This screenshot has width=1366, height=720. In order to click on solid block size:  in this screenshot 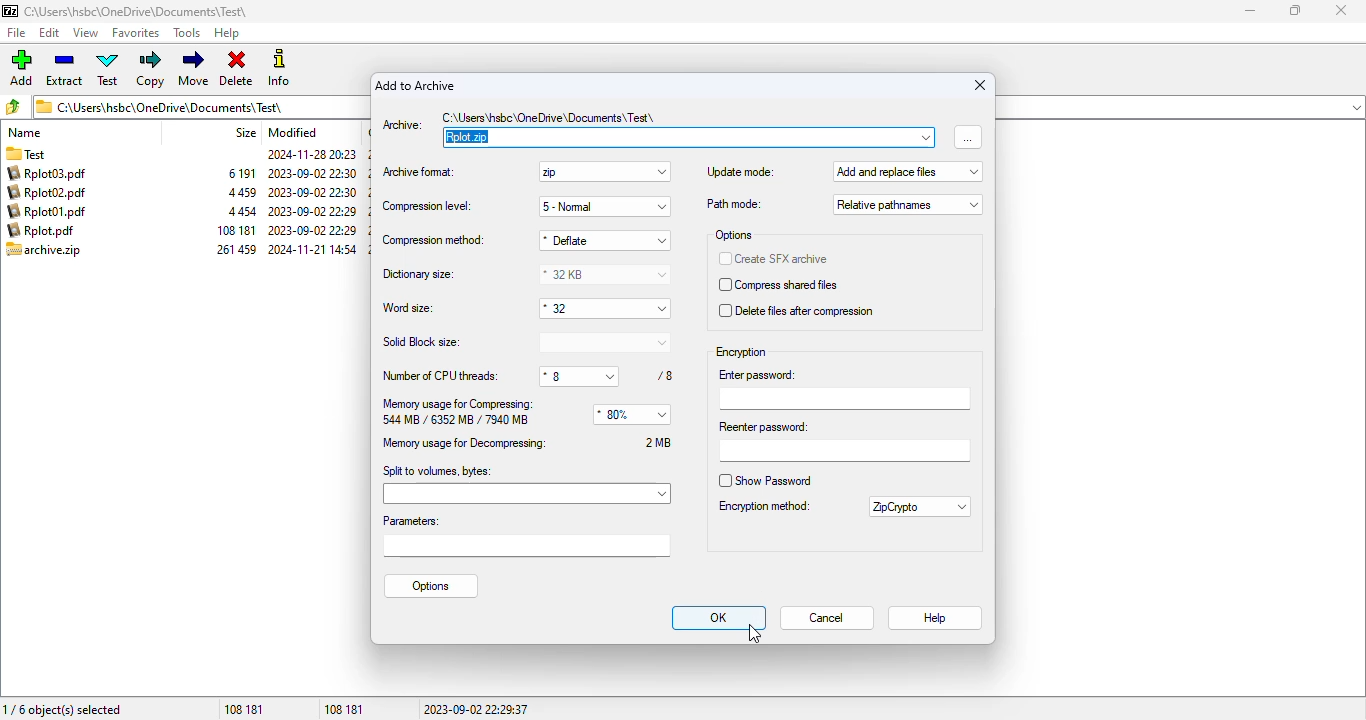, I will do `click(523, 342)`.